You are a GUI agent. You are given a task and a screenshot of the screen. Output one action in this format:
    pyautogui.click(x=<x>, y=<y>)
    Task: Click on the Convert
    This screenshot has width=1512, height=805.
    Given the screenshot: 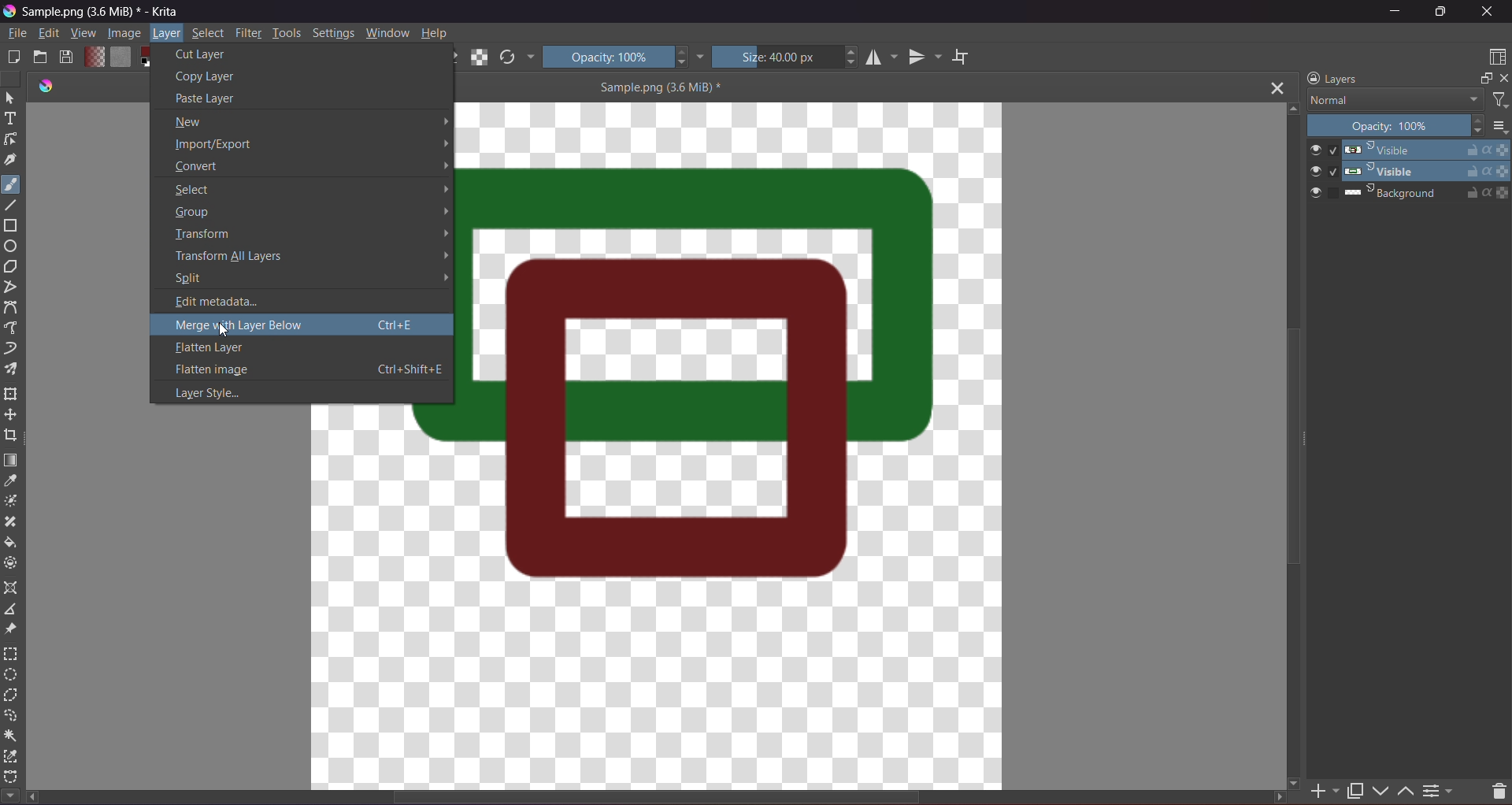 What is the action you would take?
    pyautogui.click(x=309, y=169)
    